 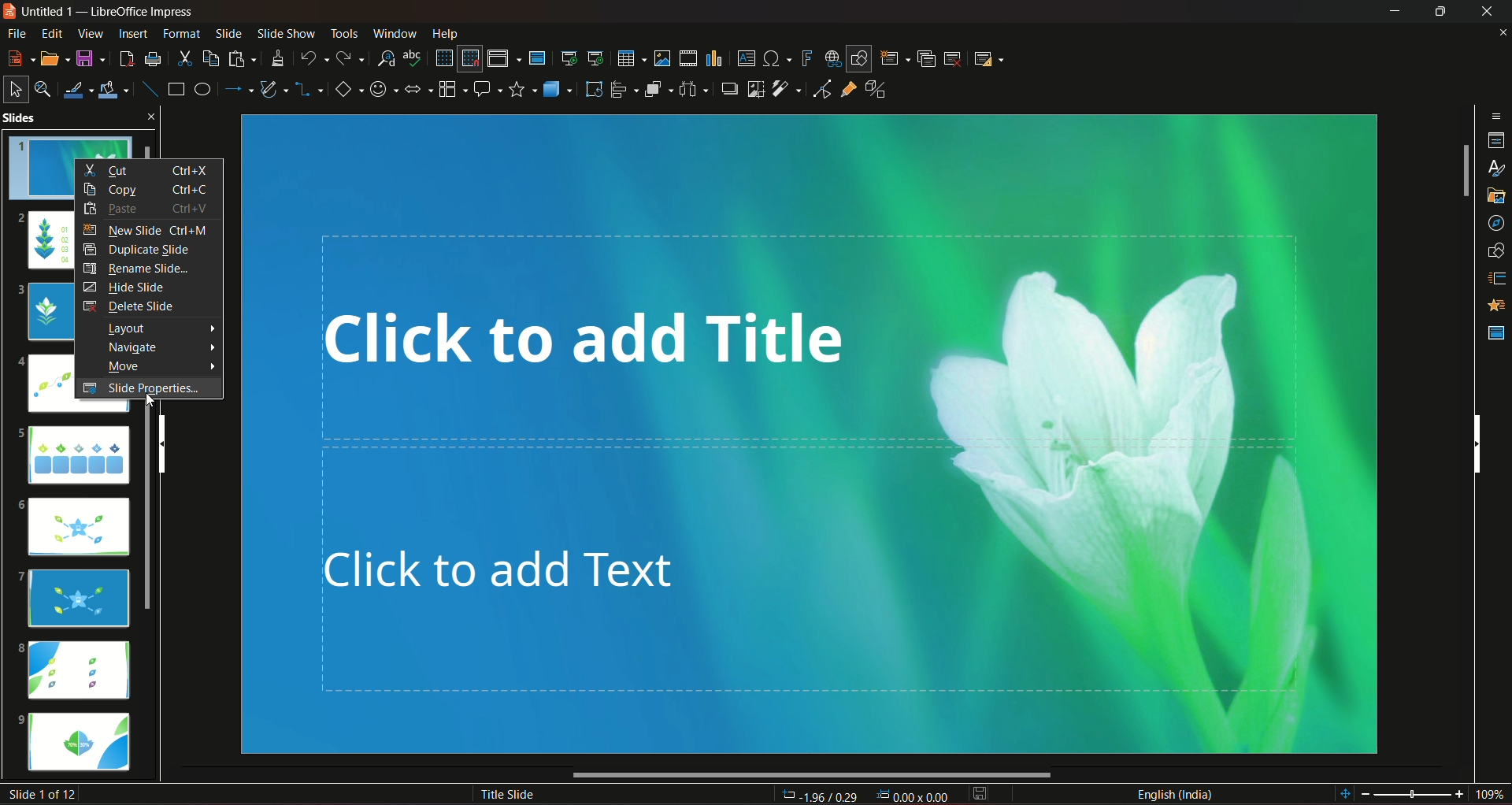 What do you see at coordinates (539, 57) in the screenshot?
I see `master slide` at bounding box center [539, 57].